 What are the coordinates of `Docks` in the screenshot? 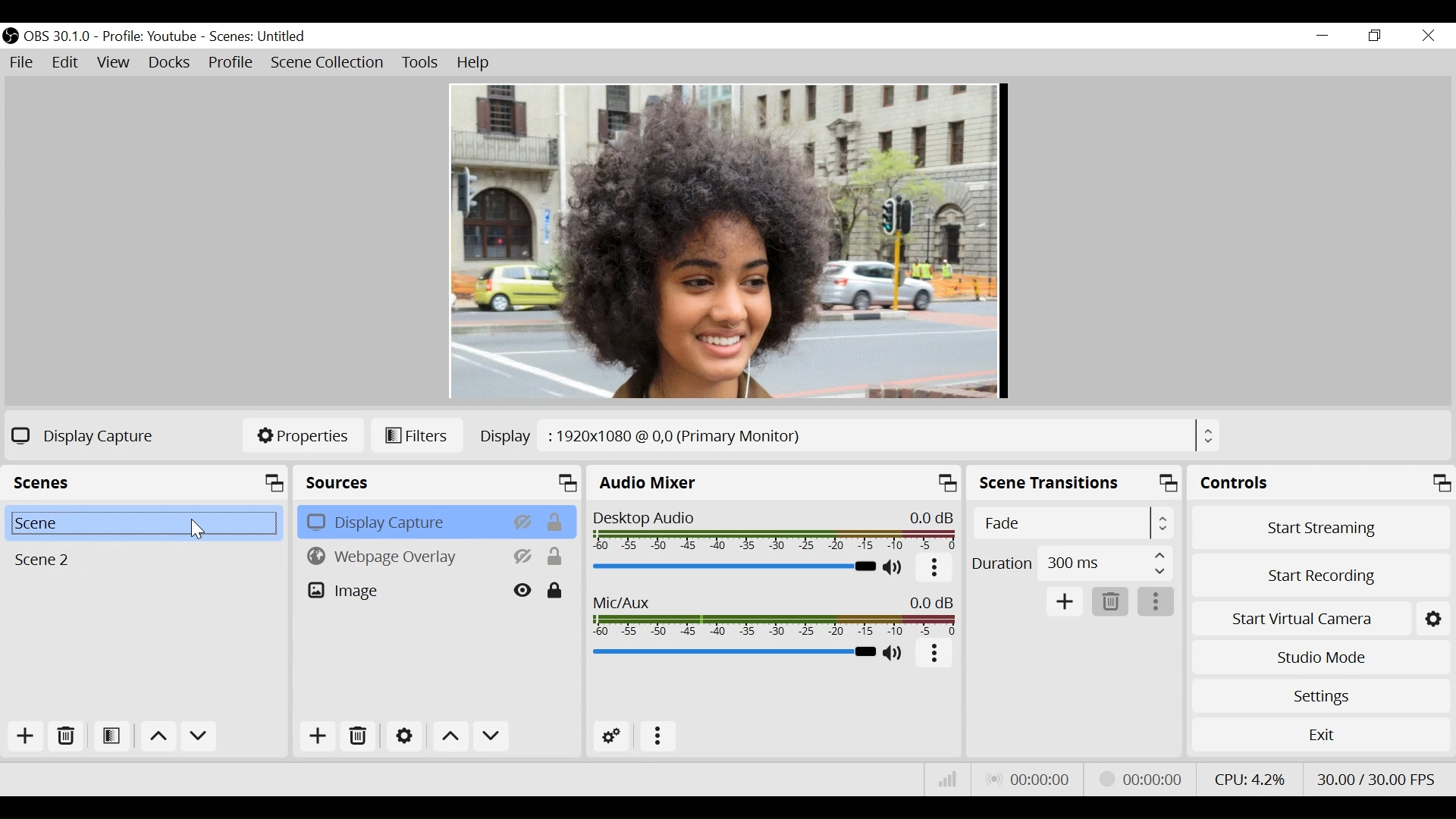 It's located at (171, 63).